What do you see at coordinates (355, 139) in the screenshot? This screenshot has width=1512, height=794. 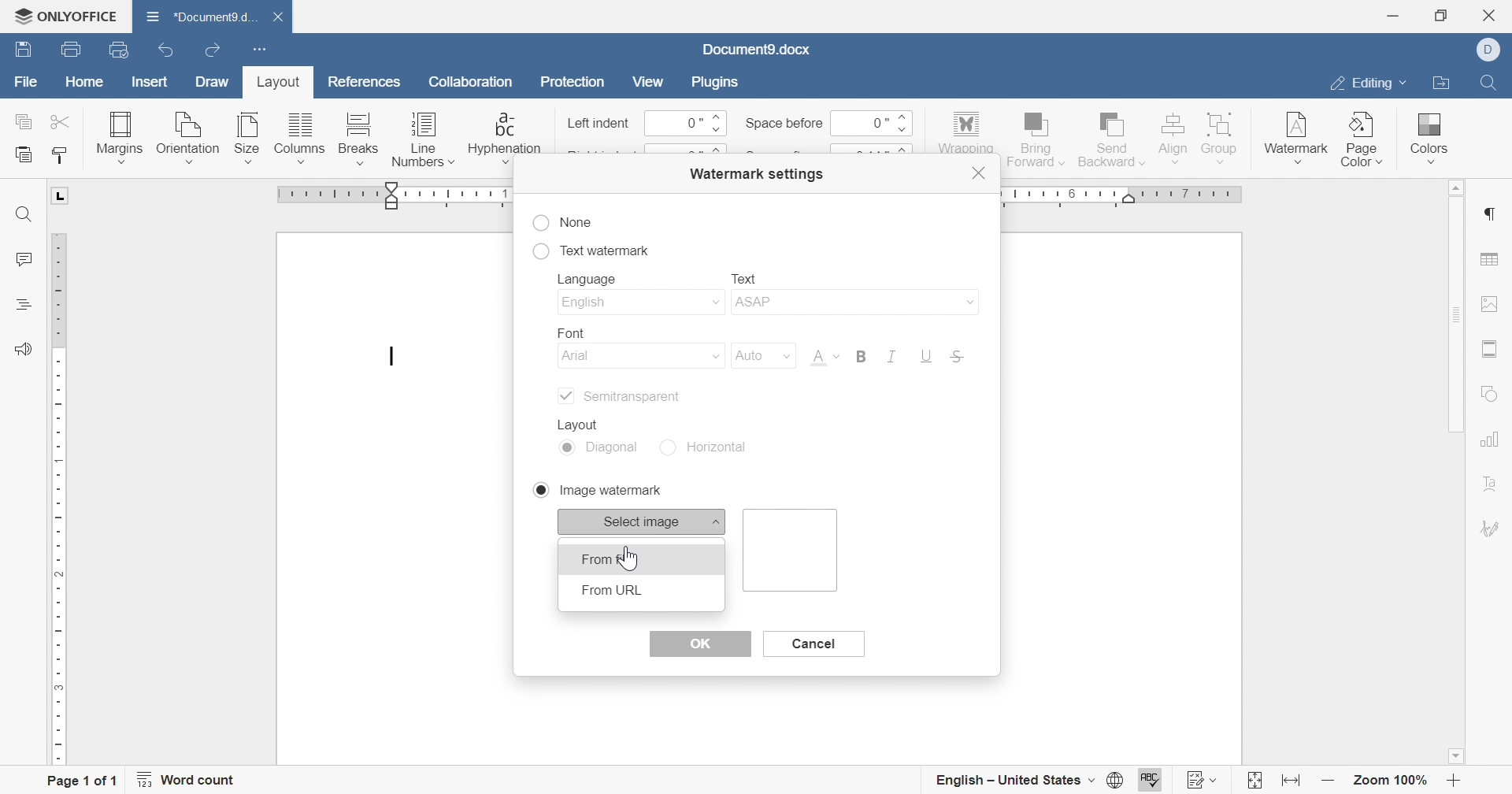 I see `breaks` at bounding box center [355, 139].